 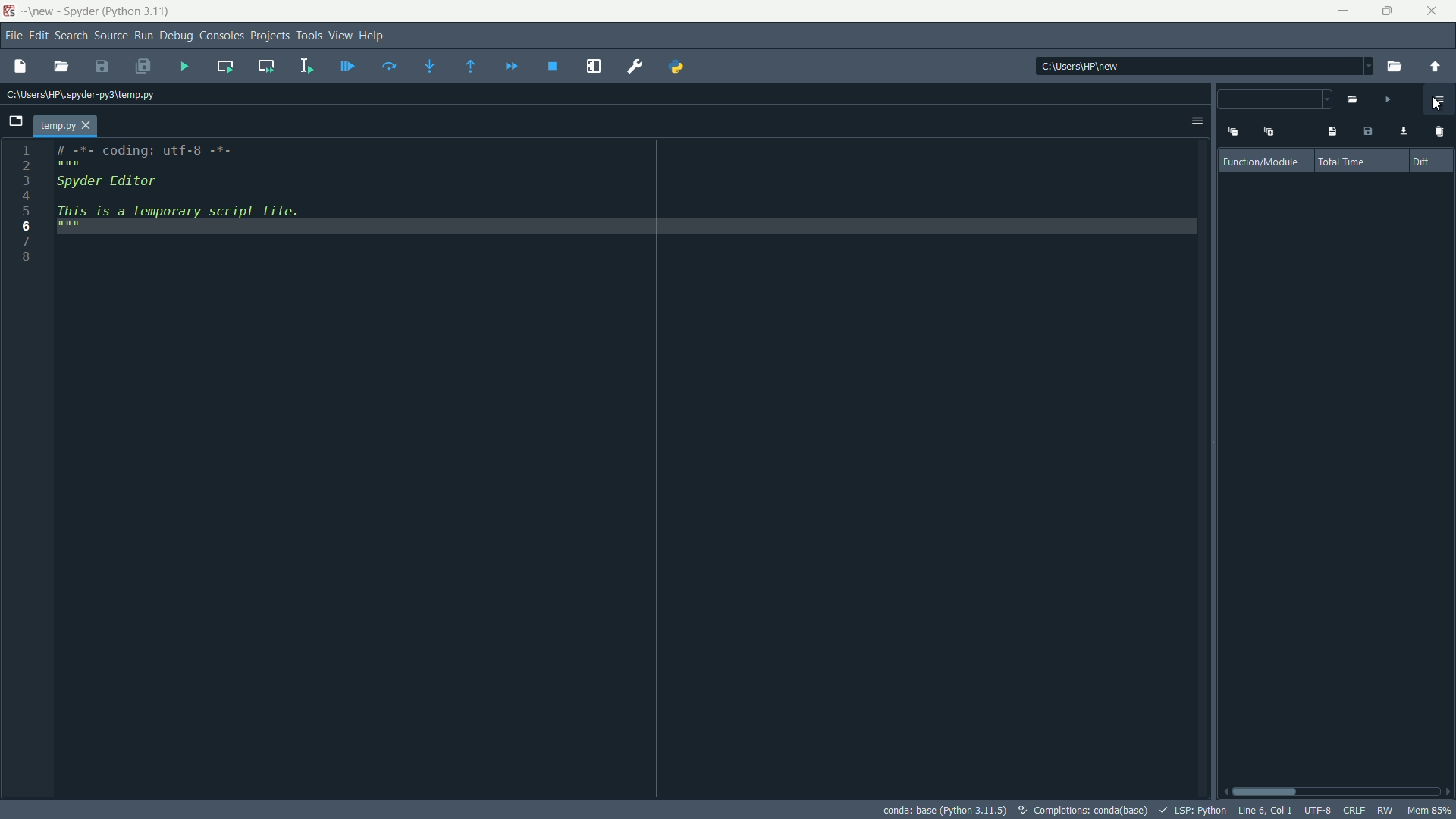 What do you see at coordinates (143, 186) in the screenshot?
I see `Spyder editor` at bounding box center [143, 186].